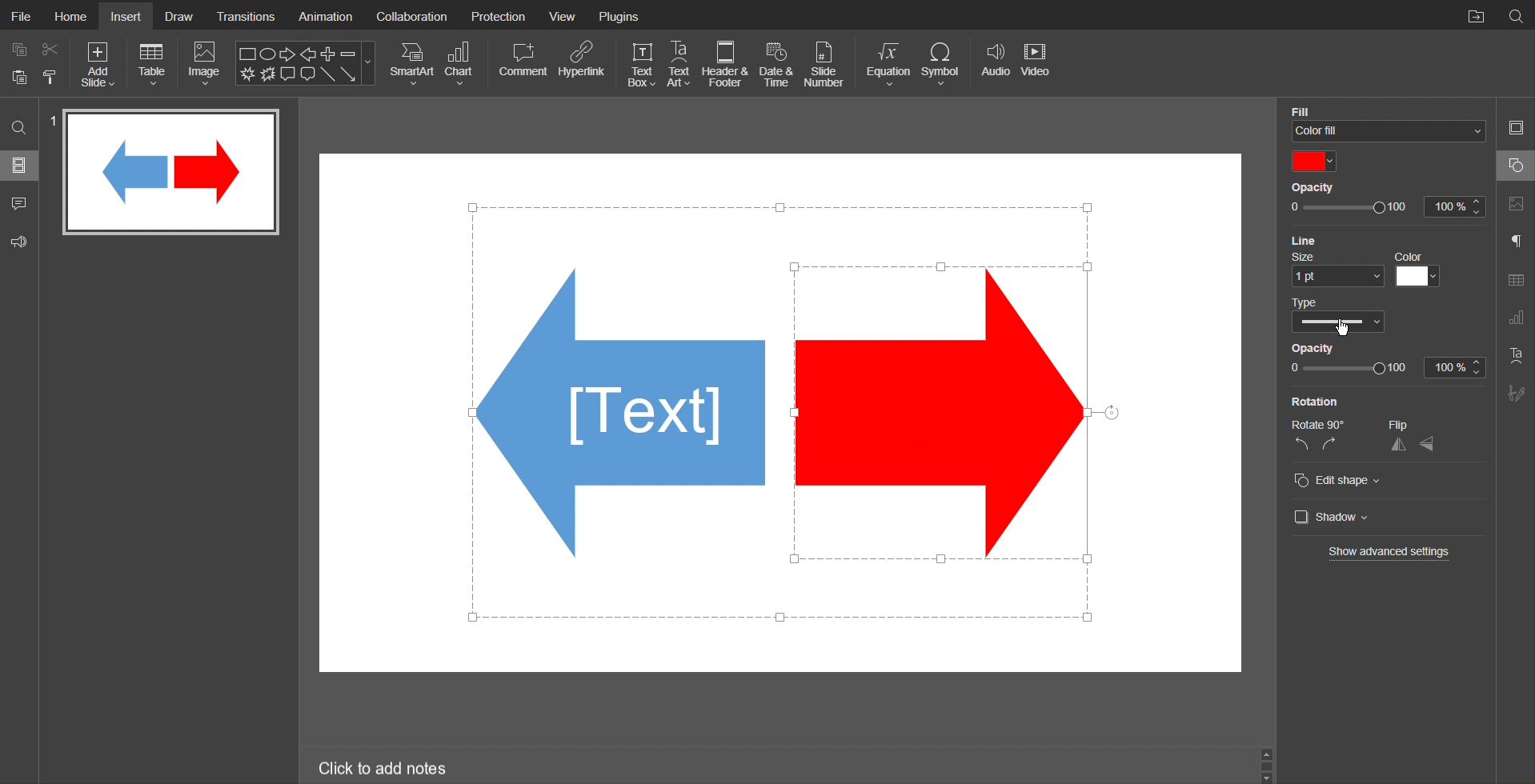  What do you see at coordinates (1322, 402) in the screenshot?
I see `Rotation` at bounding box center [1322, 402].